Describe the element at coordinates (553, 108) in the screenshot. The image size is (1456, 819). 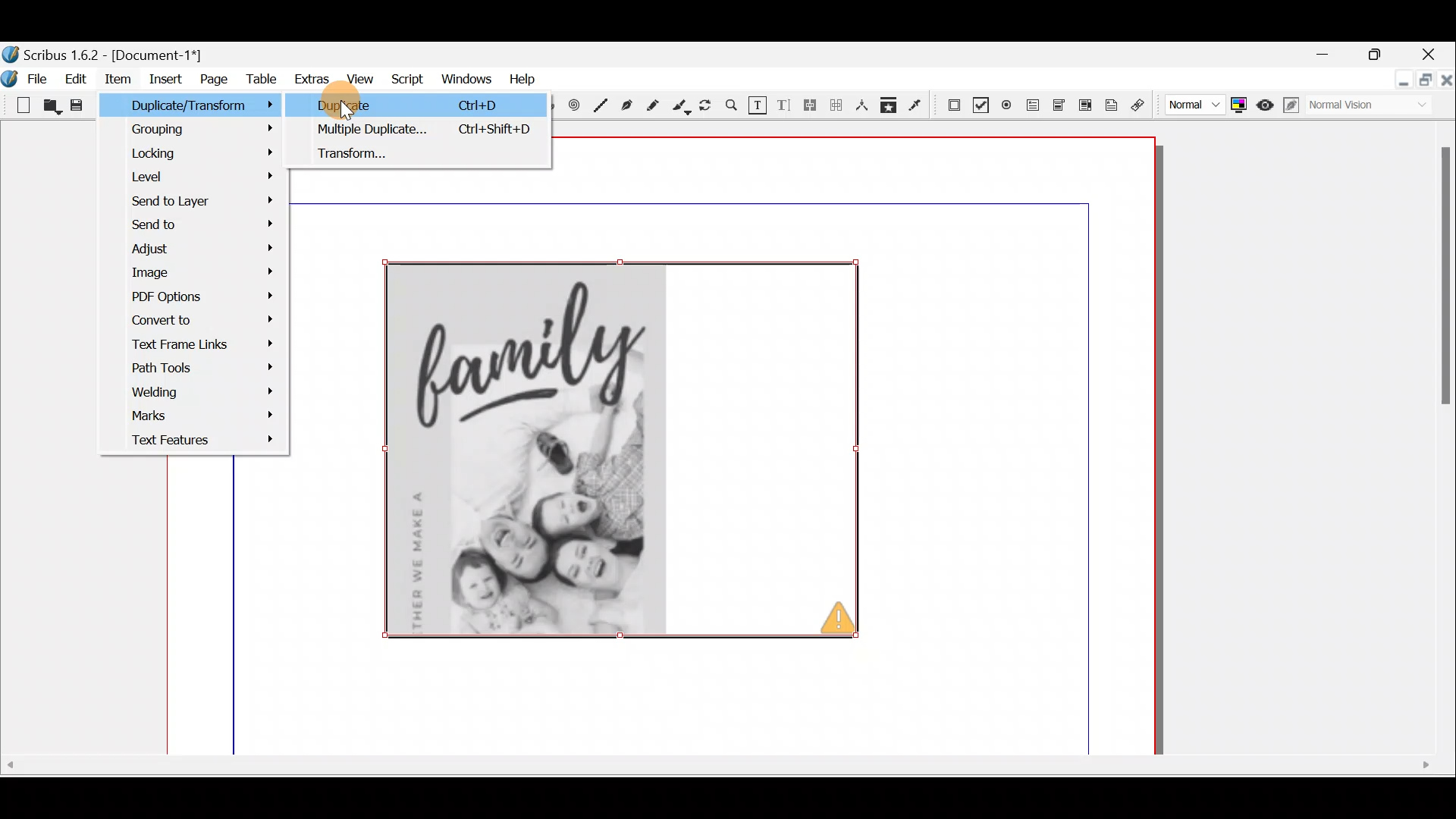
I see `Arc` at that location.